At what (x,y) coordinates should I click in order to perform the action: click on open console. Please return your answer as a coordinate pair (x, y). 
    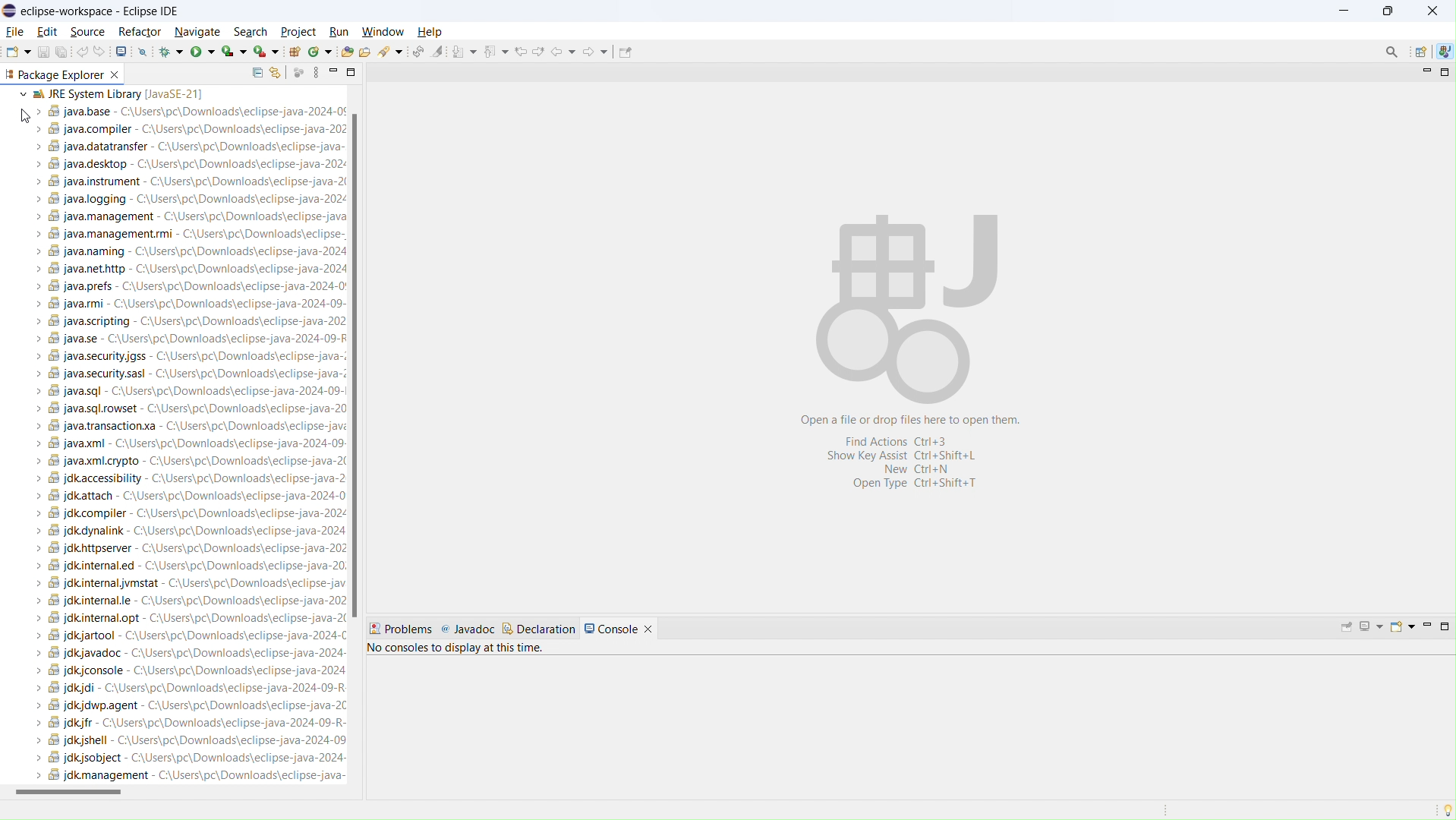
    Looking at the image, I should click on (1401, 627).